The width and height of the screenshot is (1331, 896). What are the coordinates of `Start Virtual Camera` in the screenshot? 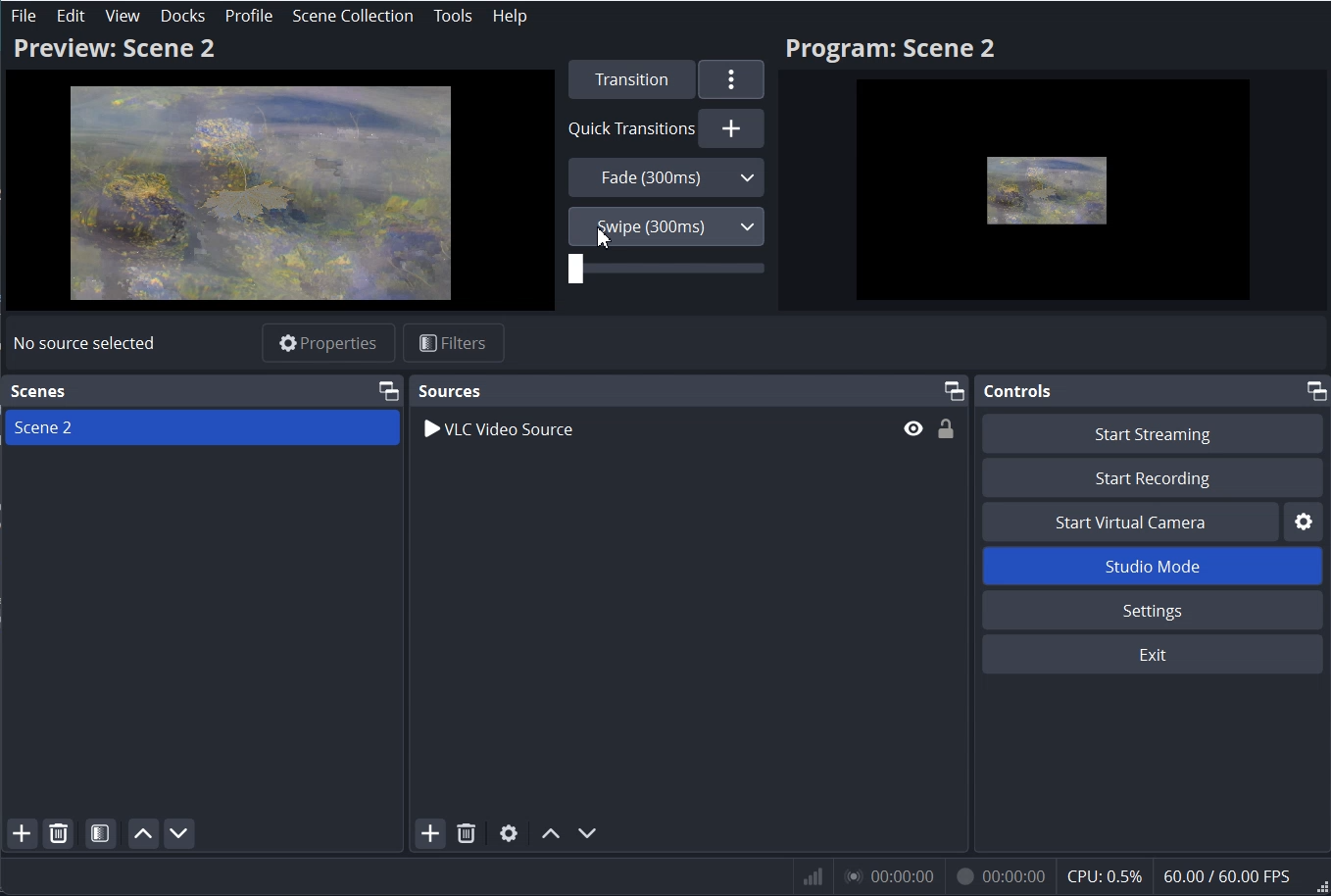 It's located at (1129, 522).